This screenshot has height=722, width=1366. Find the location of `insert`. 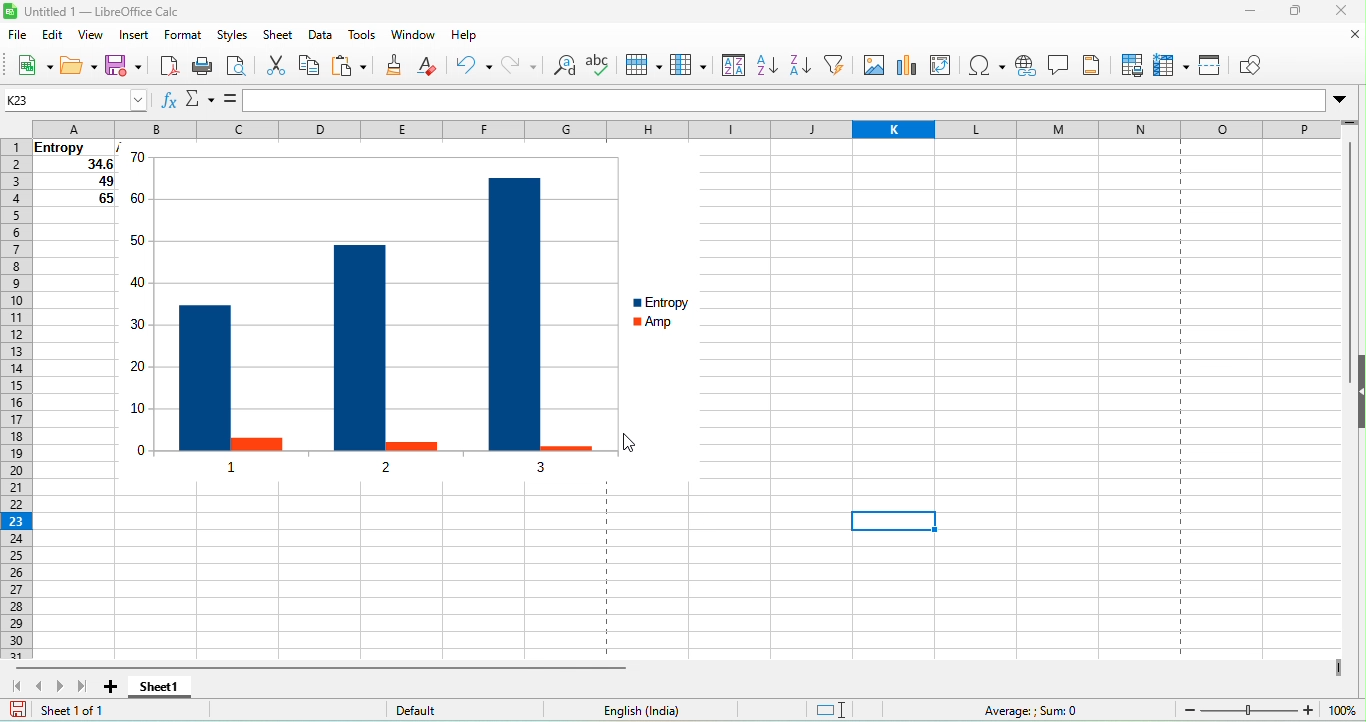

insert is located at coordinates (137, 37).